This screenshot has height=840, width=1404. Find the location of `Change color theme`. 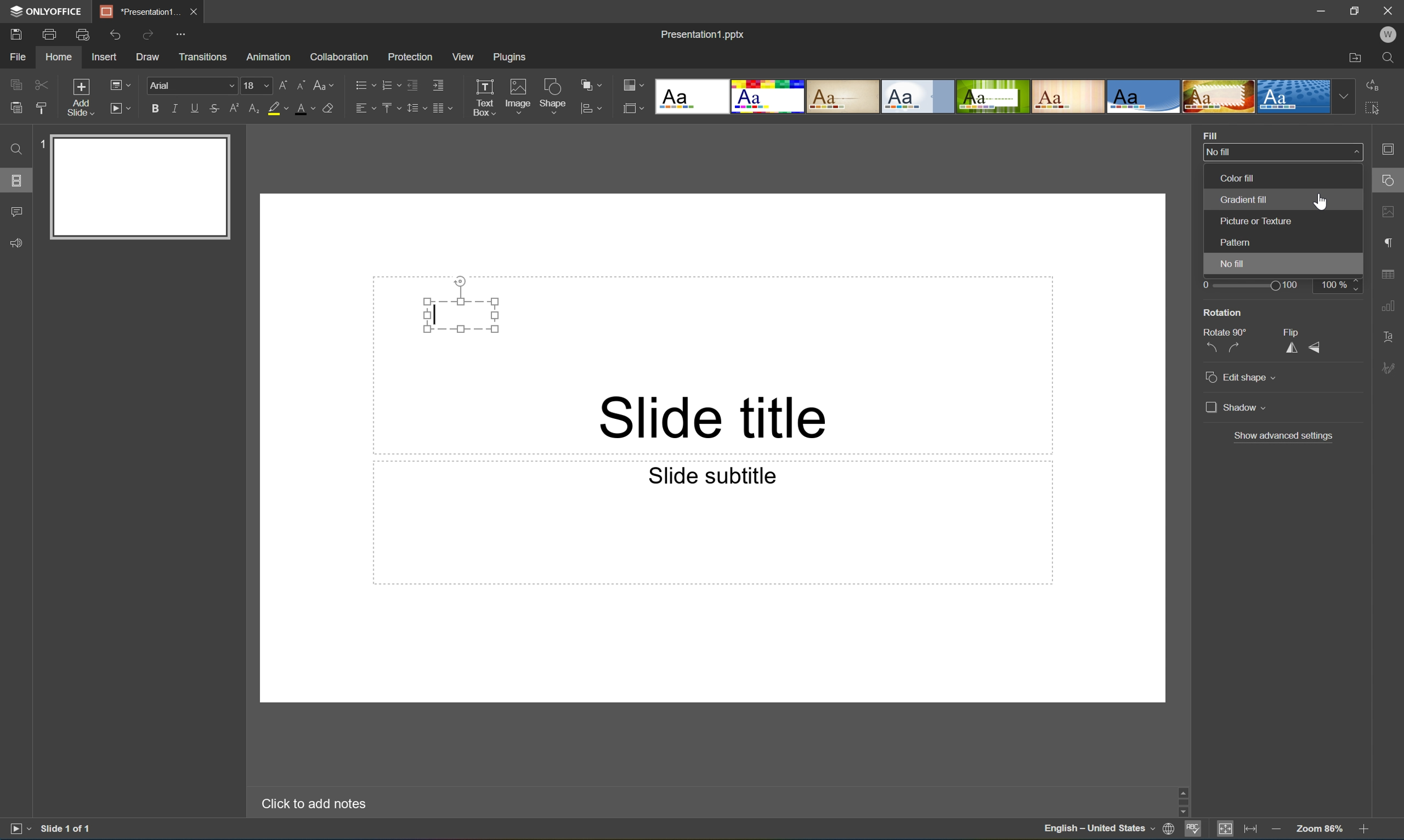

Change color theme is located at coordinates (633, 86).